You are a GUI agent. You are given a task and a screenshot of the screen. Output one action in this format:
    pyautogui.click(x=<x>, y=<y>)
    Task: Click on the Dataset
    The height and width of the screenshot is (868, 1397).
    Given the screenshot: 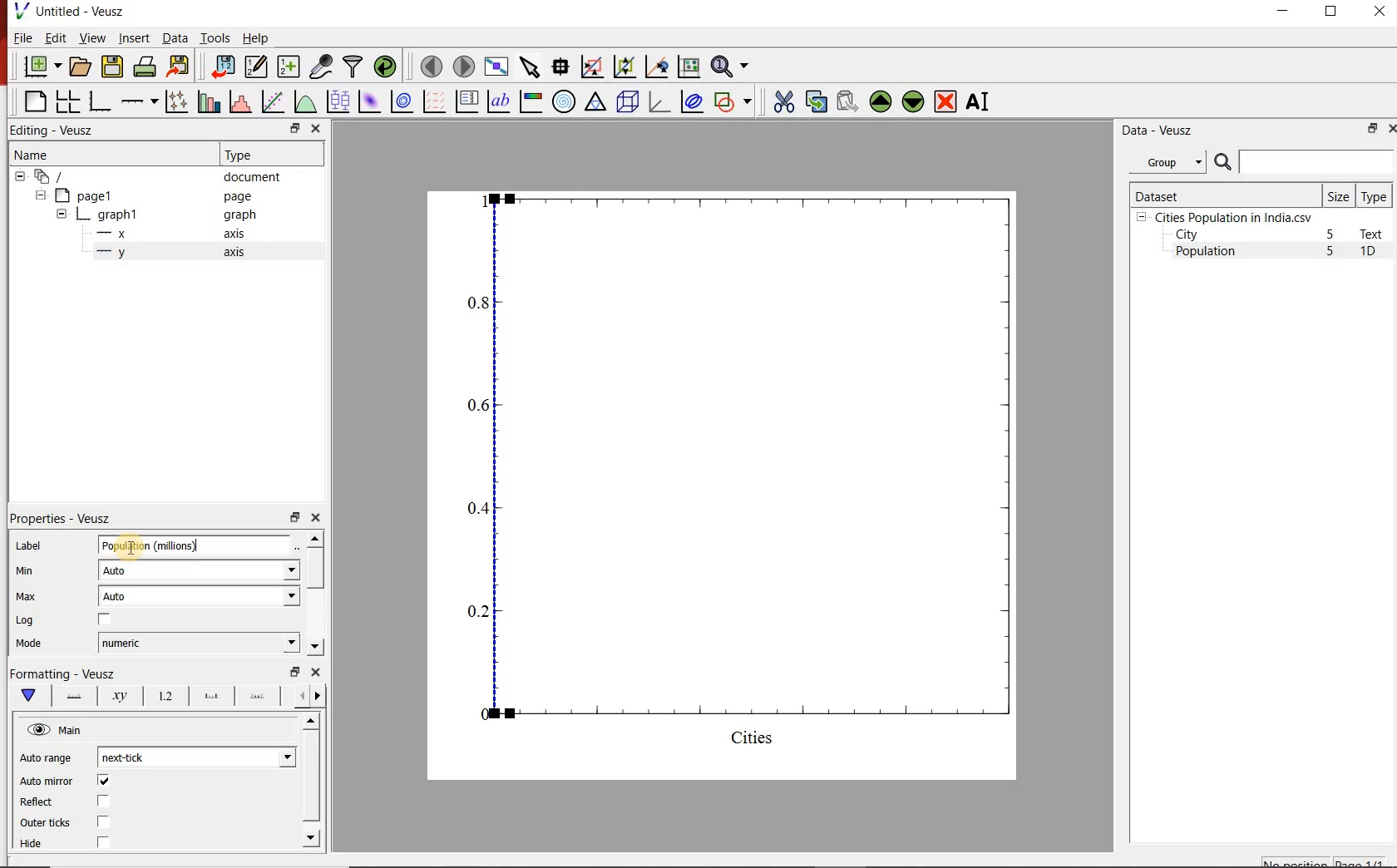 What is the action you would take?
    pyautogui.click(x=1223, y=195)
    